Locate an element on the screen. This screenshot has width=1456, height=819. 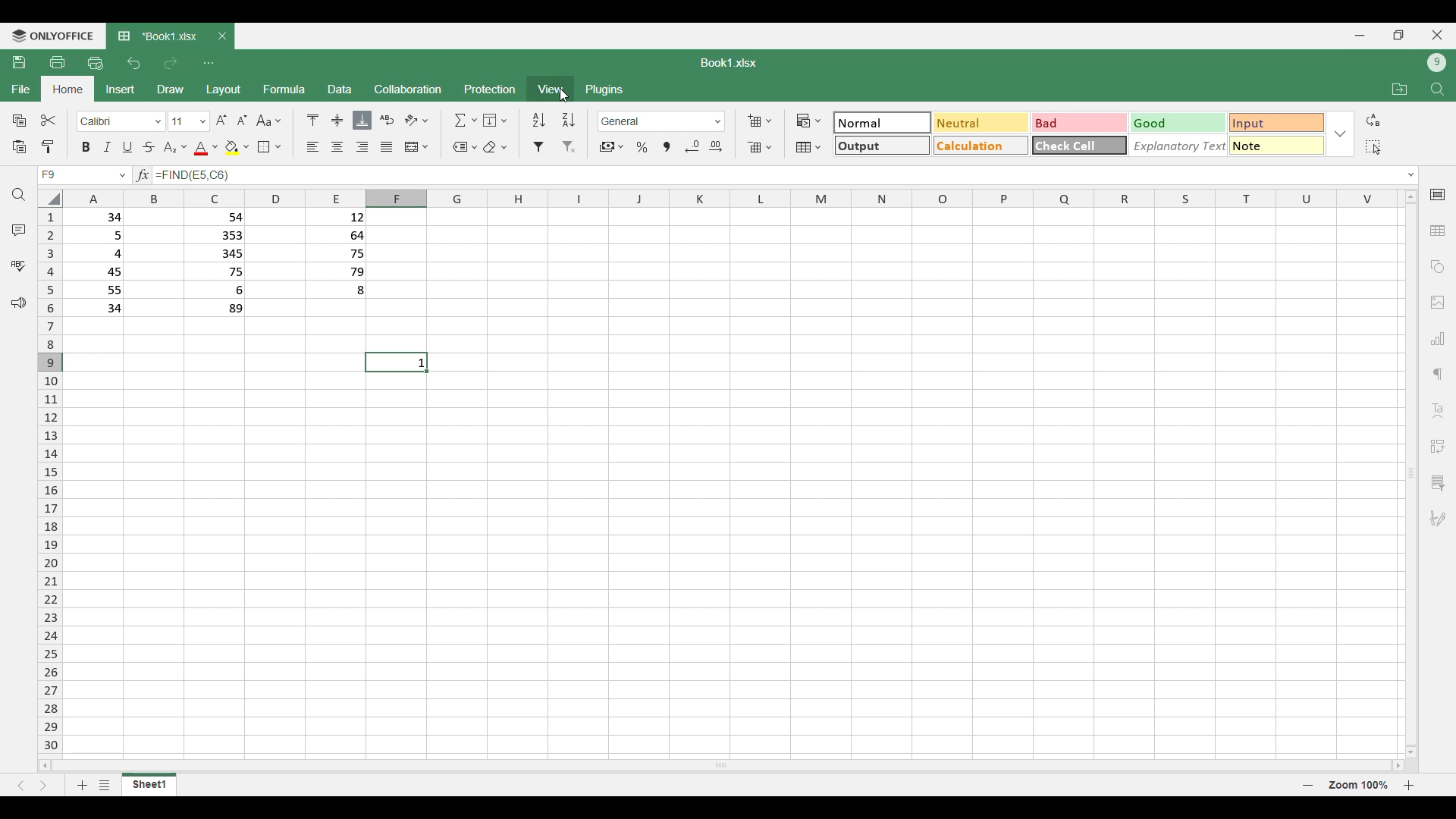
Erase options is located at coordinates (495, 146).